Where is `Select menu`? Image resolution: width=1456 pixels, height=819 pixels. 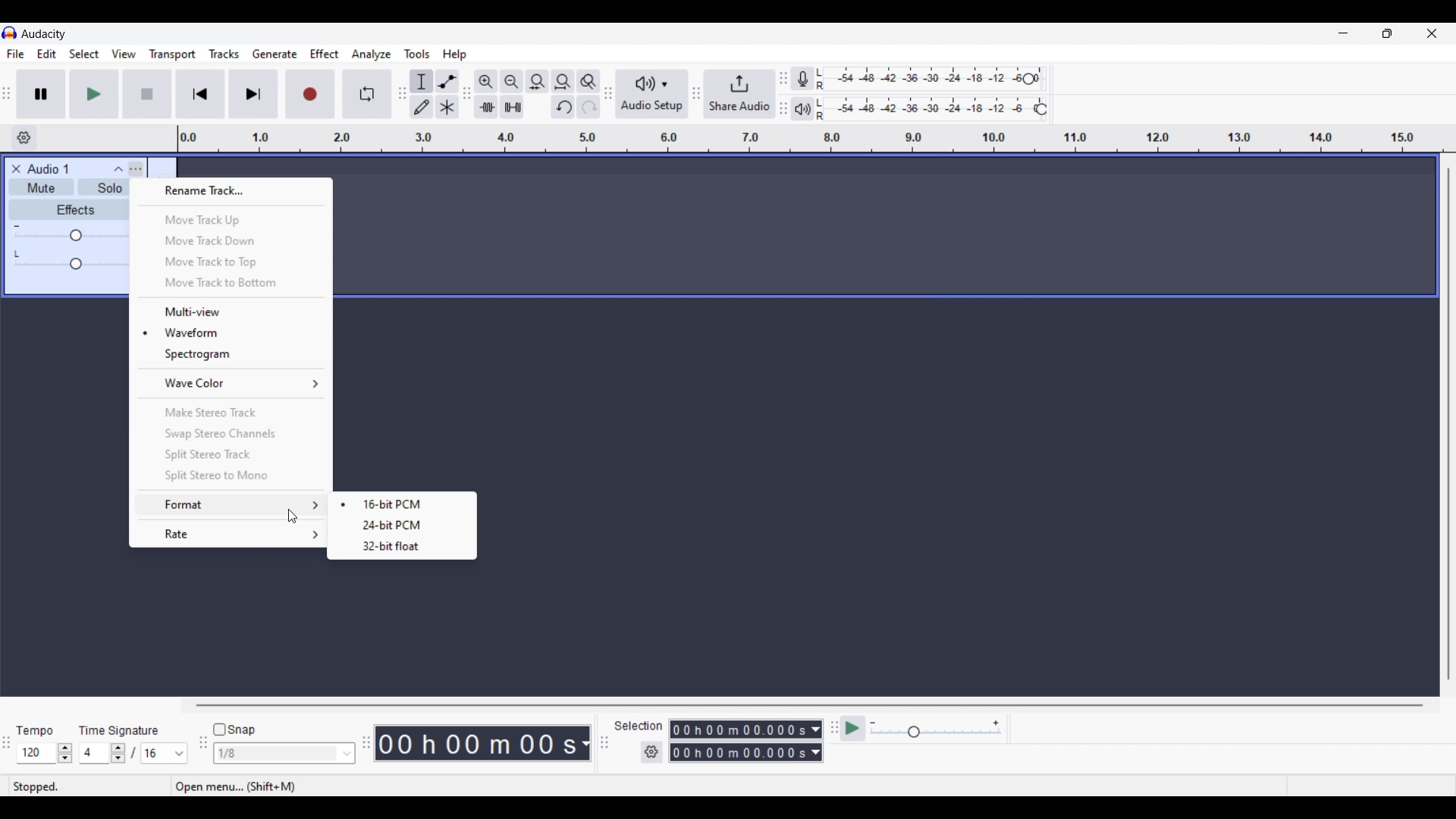 Select menu is located at coordinates (84, 55).